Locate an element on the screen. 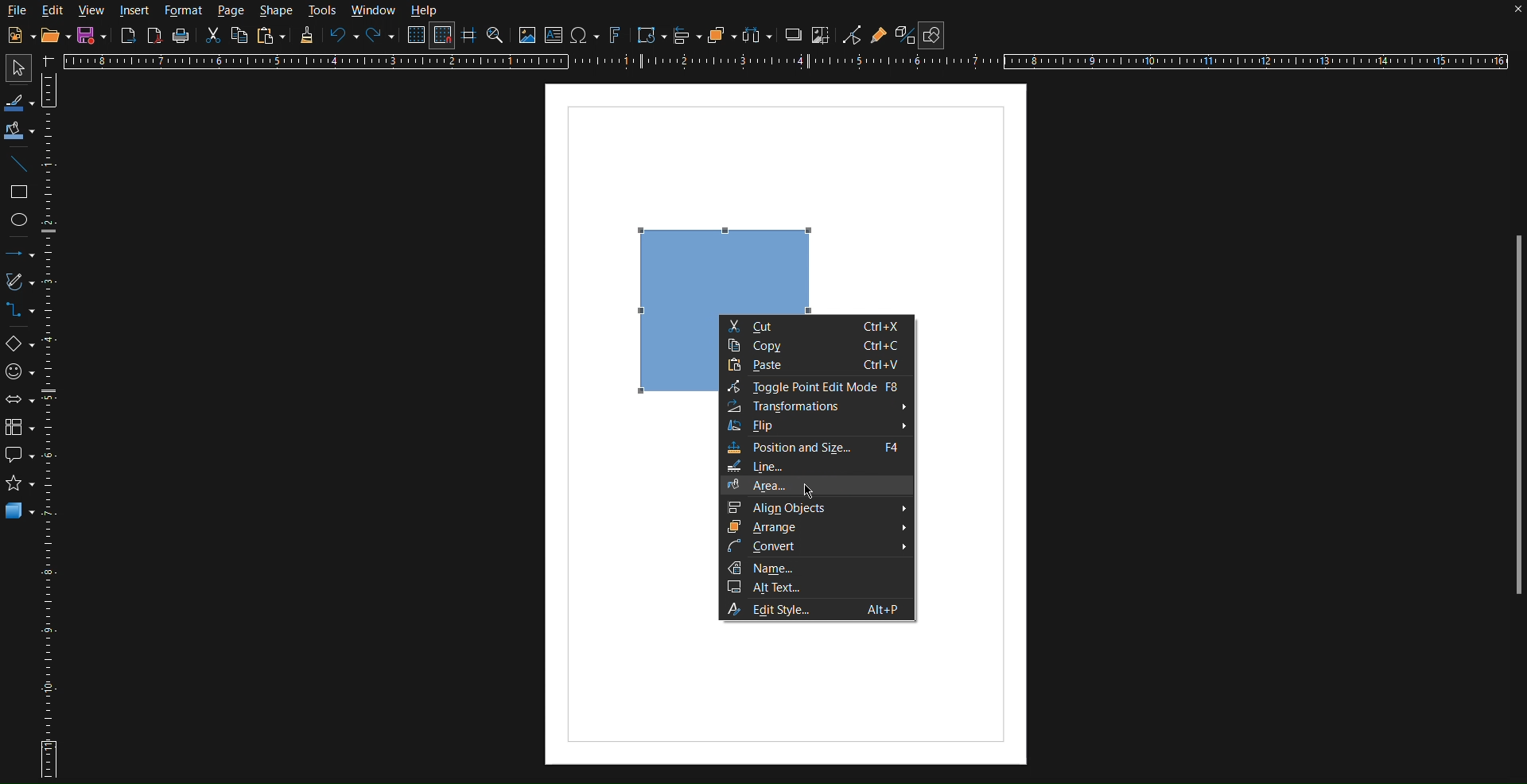  Tools is located at coordinates (323, 11).